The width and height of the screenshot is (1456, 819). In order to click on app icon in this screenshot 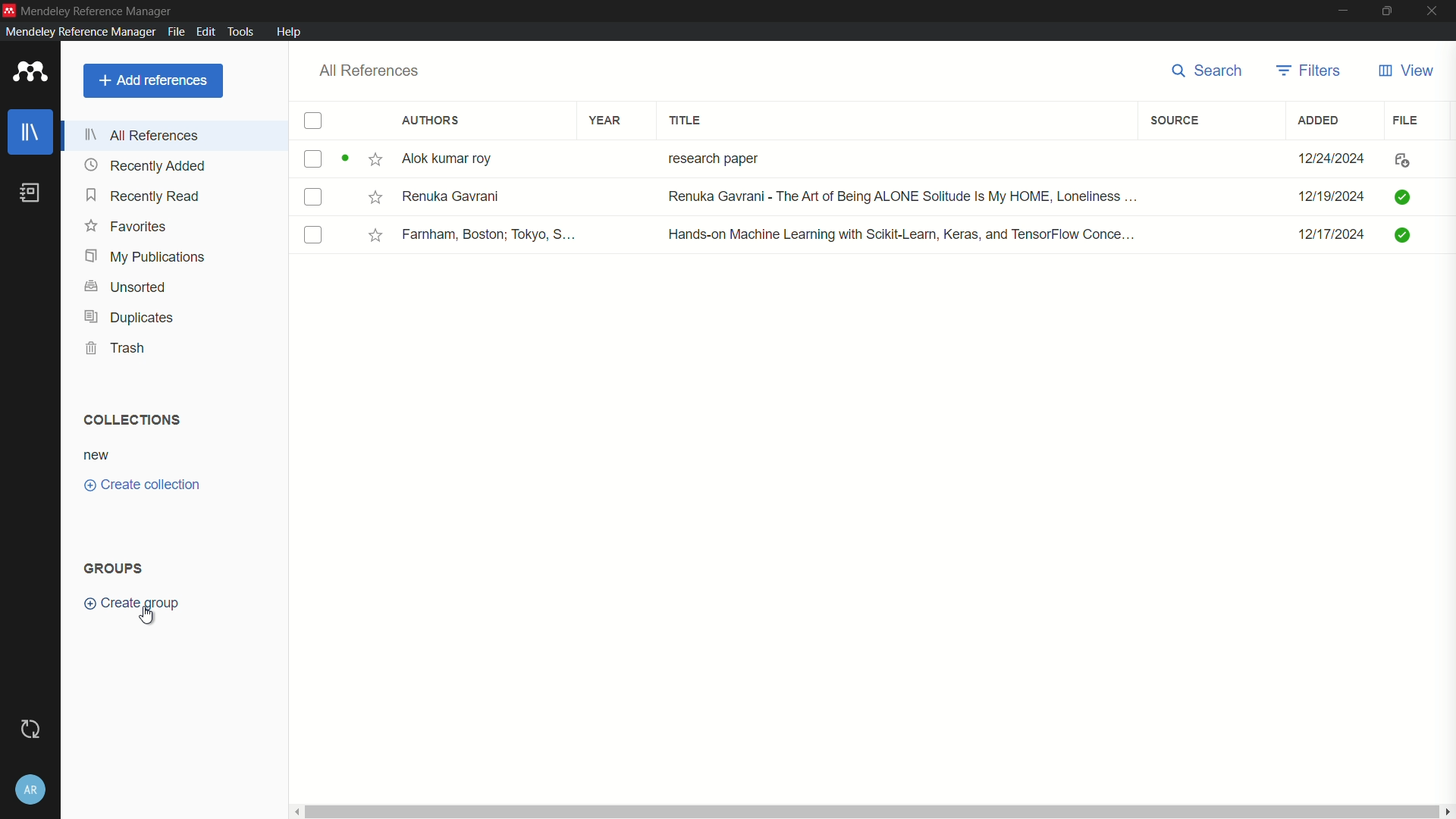, I will do `click(27, 73)`.